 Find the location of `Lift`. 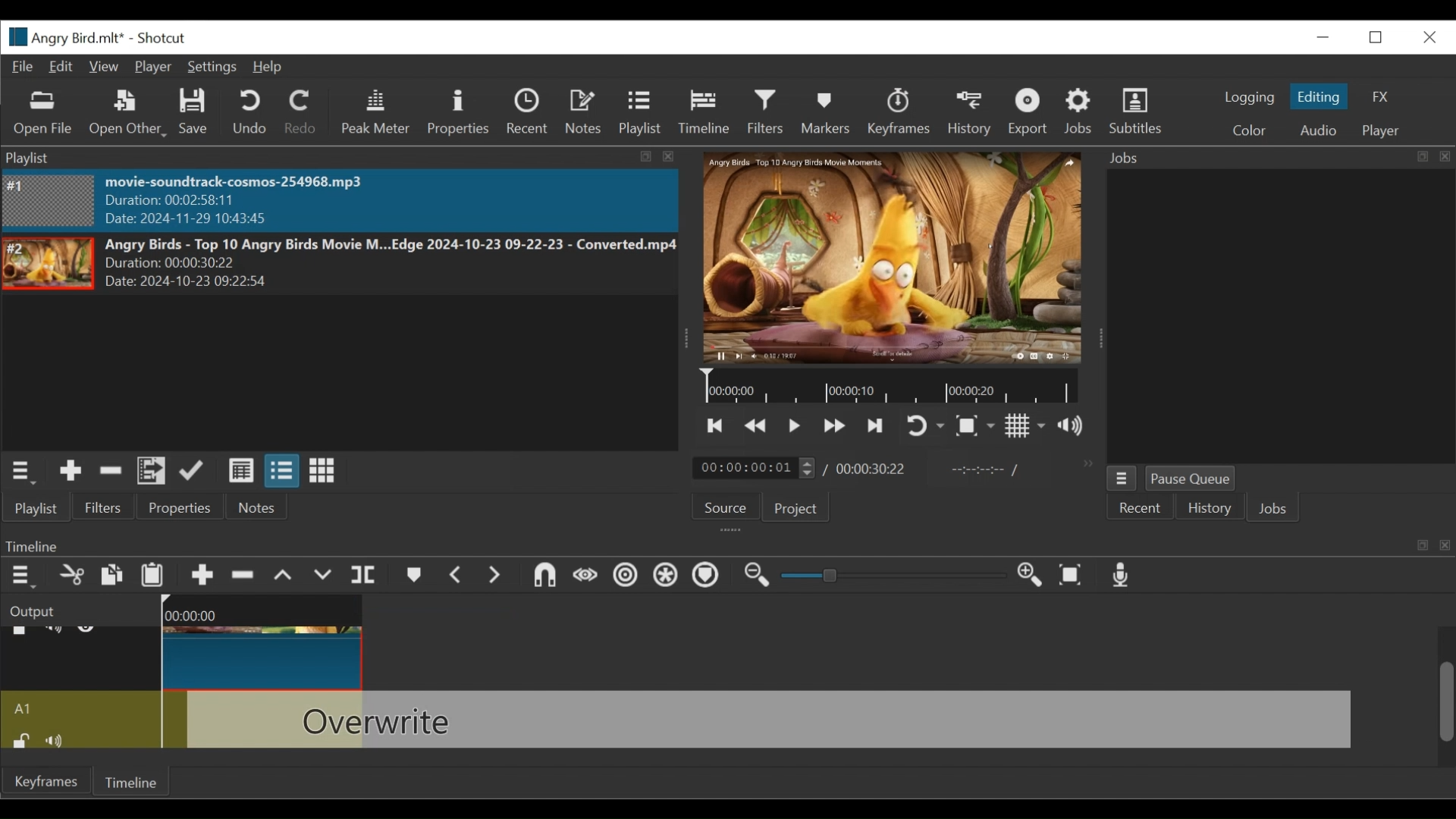

Lift is located at coordinates (285, 576).